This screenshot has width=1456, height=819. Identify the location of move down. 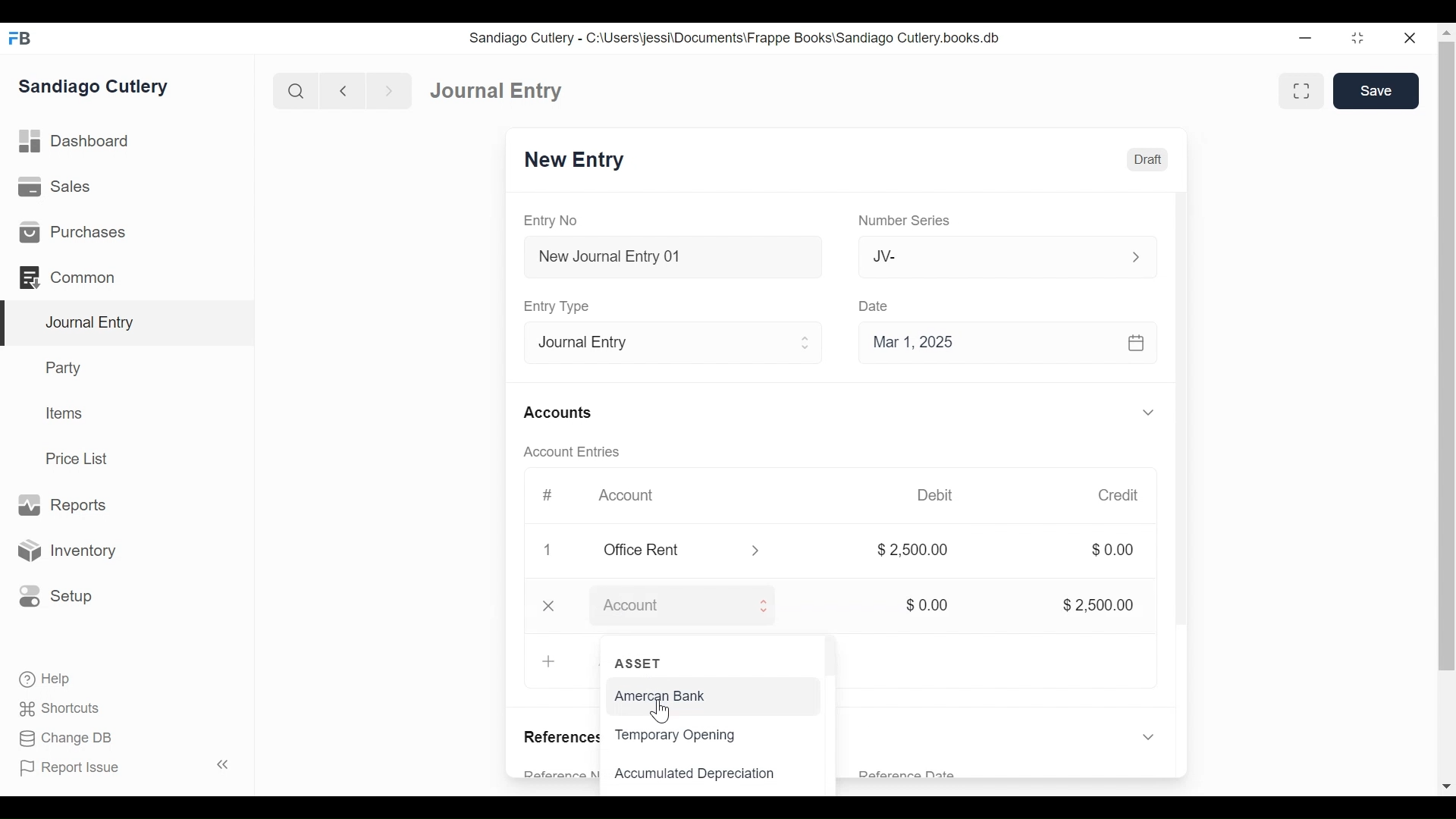
(1447, 783).